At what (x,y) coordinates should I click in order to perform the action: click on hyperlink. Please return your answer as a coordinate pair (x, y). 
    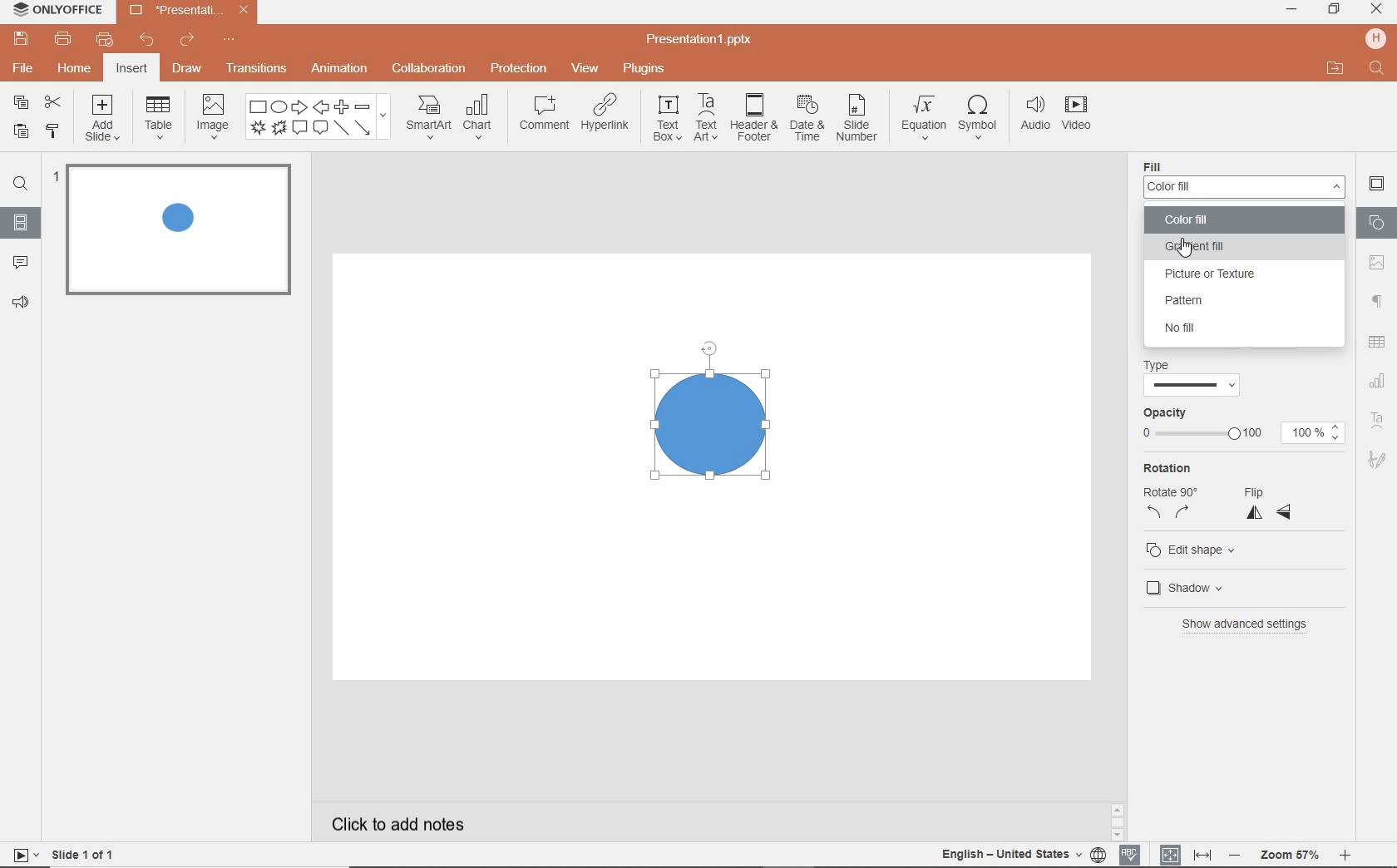
    Looking at the image, I should click on (607, 116).